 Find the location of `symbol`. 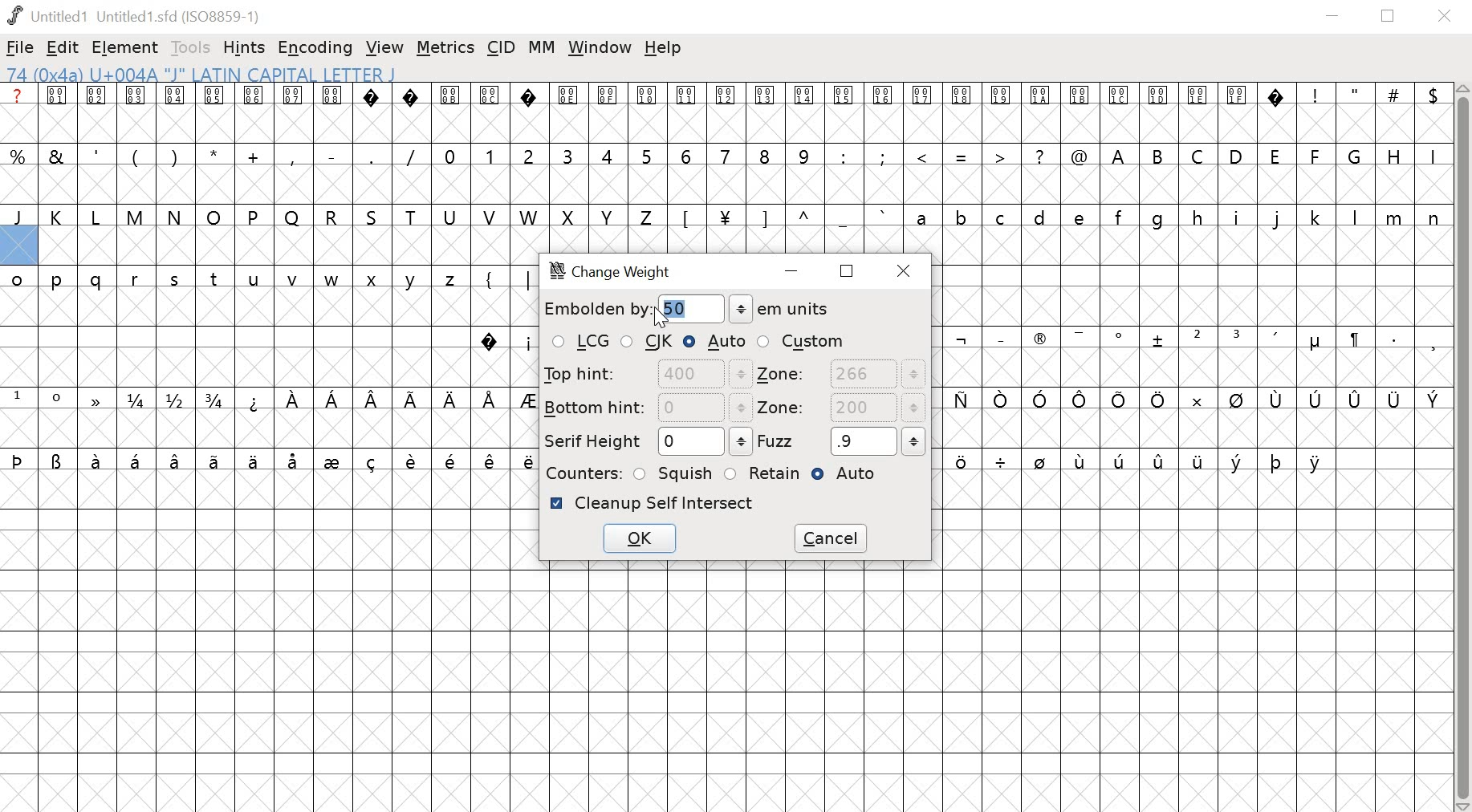

symbol is located at coordinates (93, 398).